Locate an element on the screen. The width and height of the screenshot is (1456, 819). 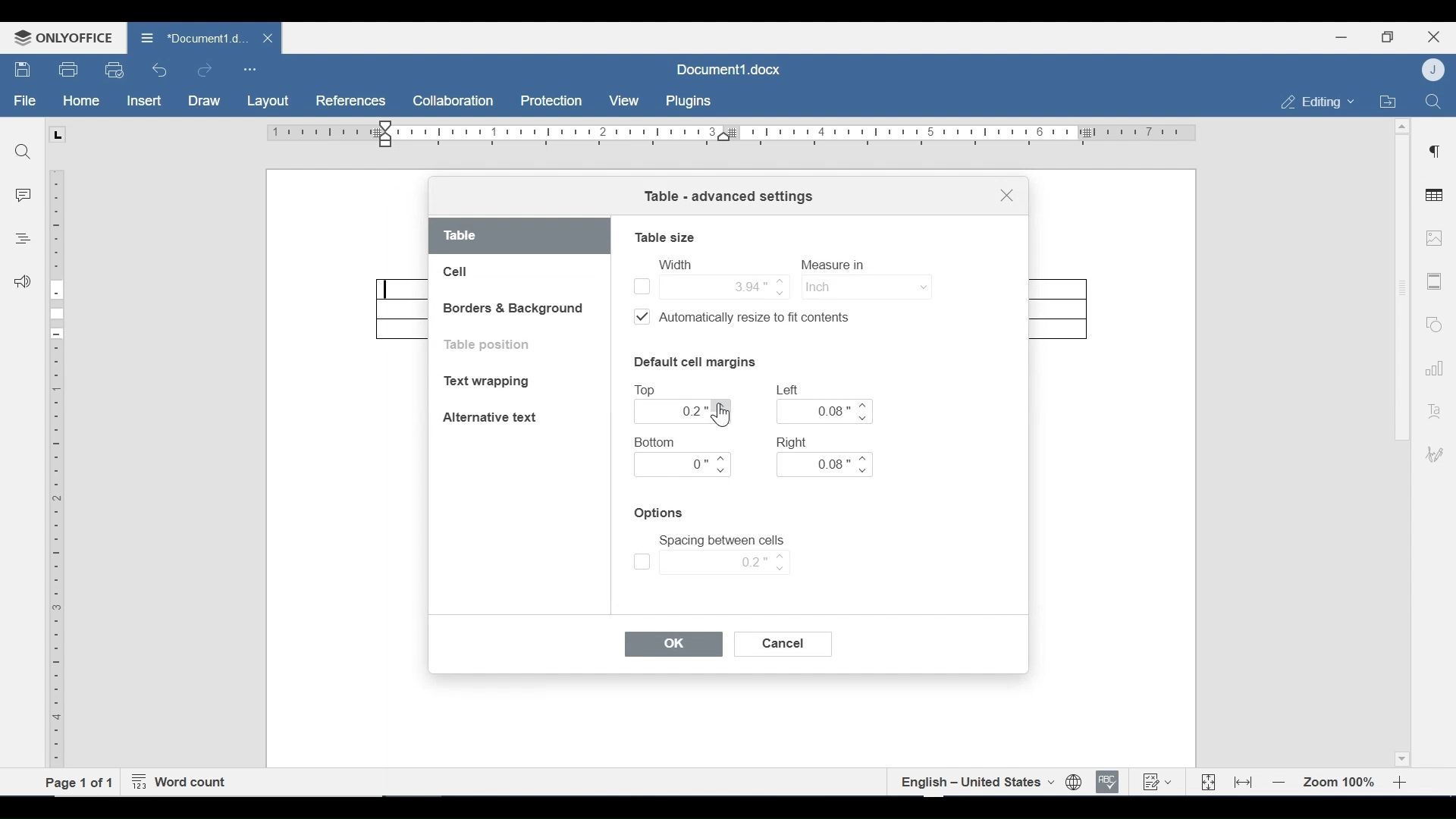
Find is located at coordinates (1432, 100).